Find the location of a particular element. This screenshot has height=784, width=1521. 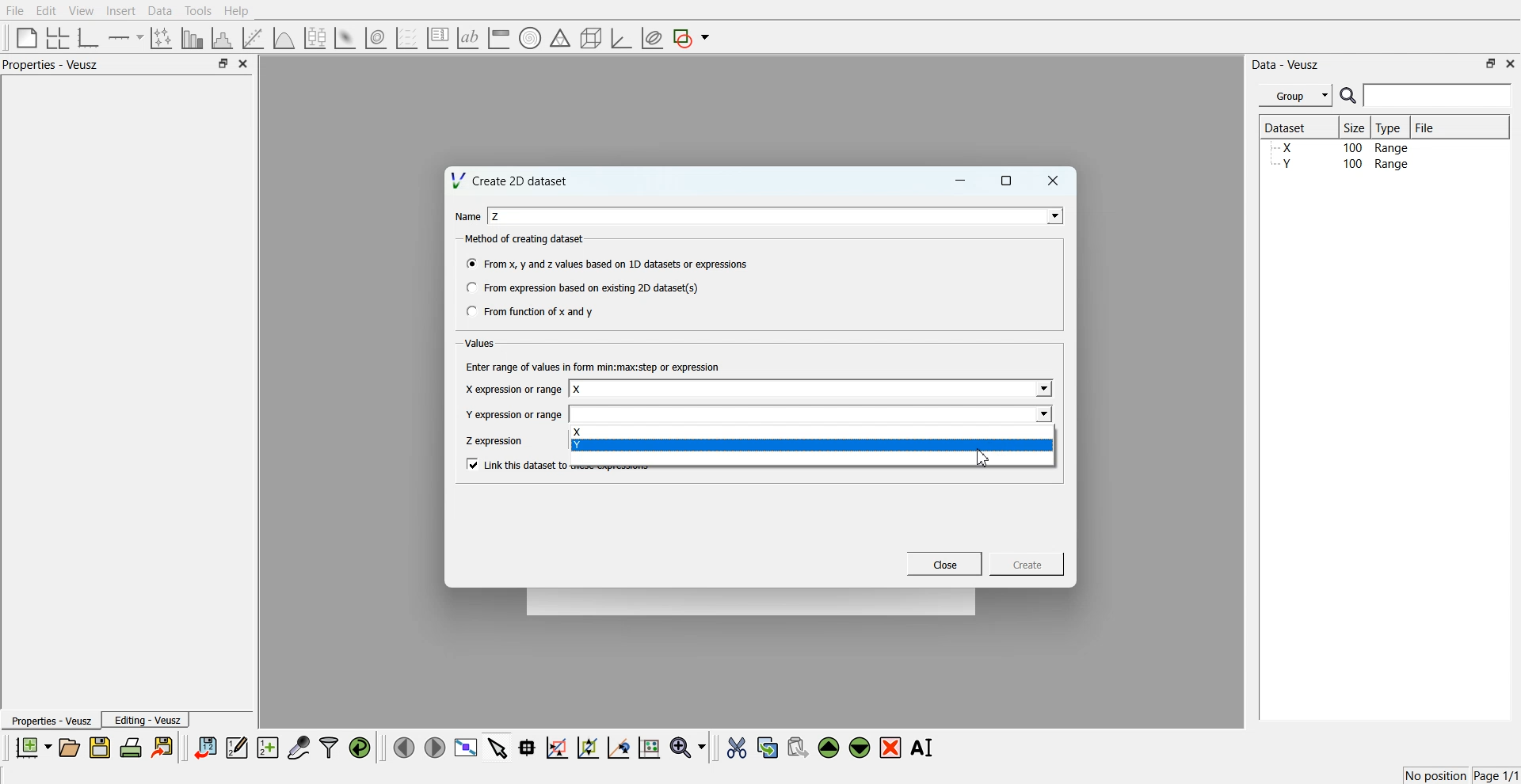

No position Page 1/1 is located at coordinates (1461, 775).